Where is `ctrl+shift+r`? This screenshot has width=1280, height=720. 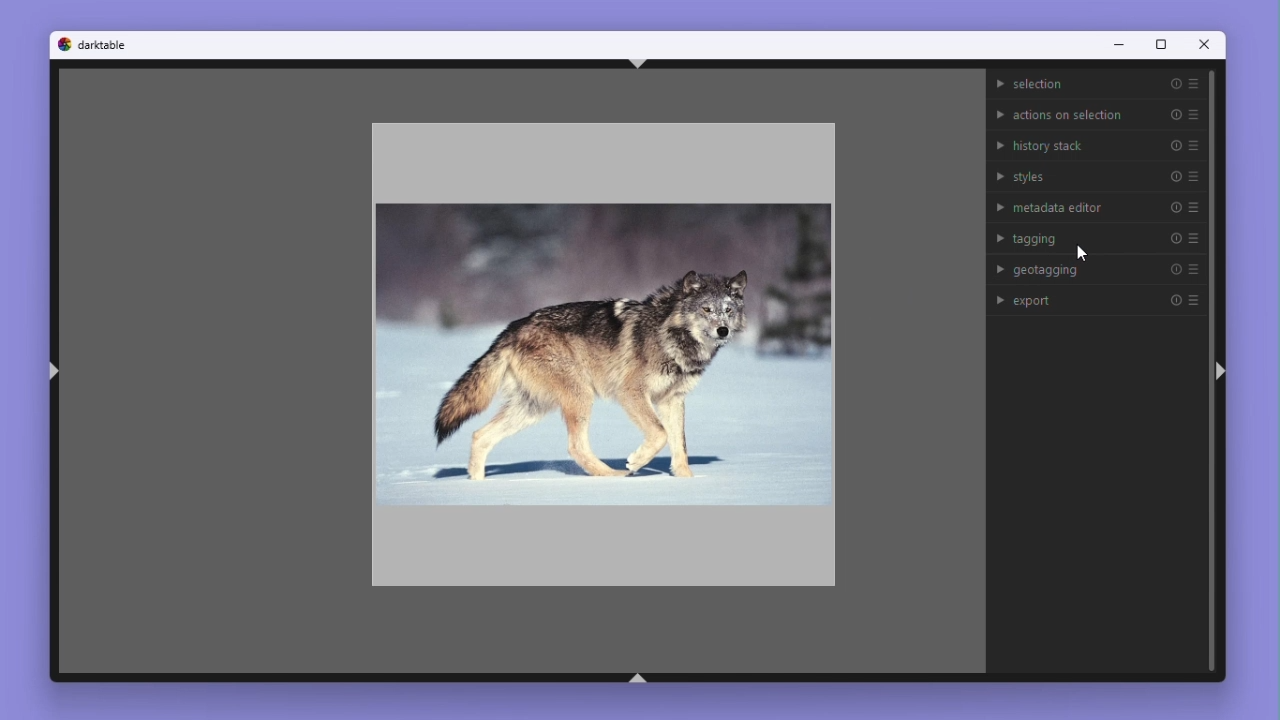
ctrl+shift+r is located at coordinates (1219, 370).